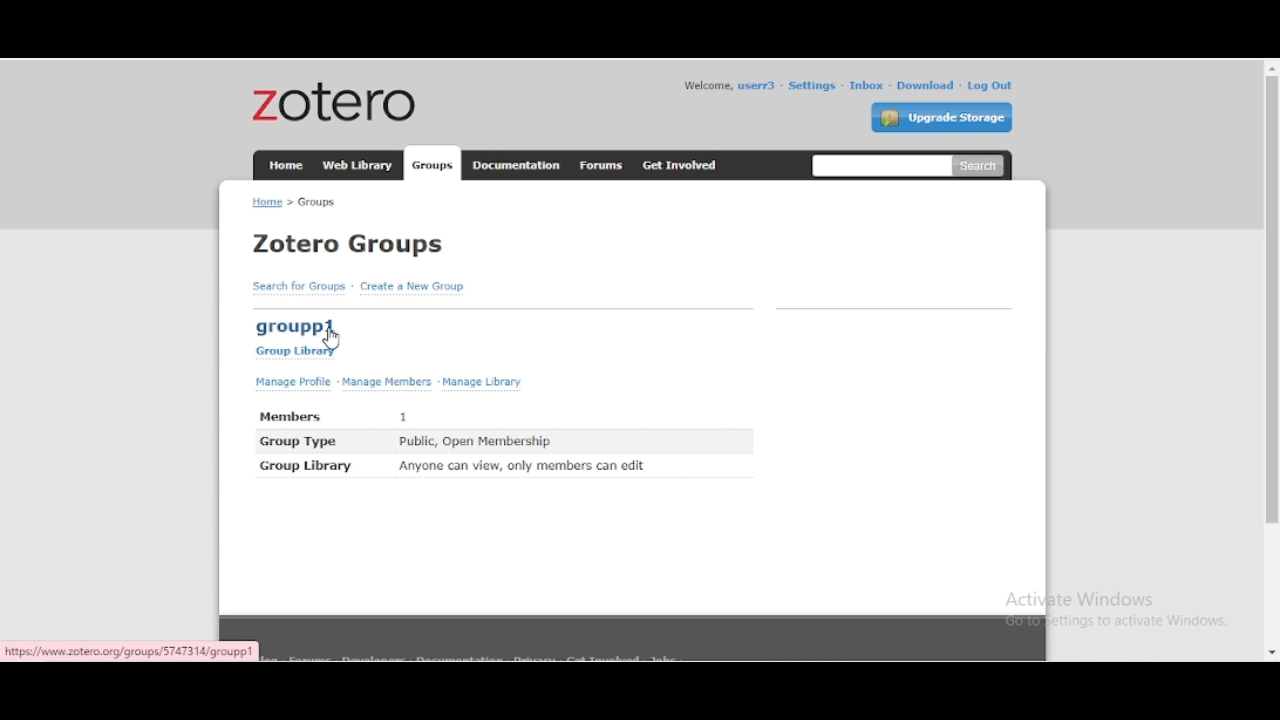  I want to click on public, open membership, so click(474, 442).